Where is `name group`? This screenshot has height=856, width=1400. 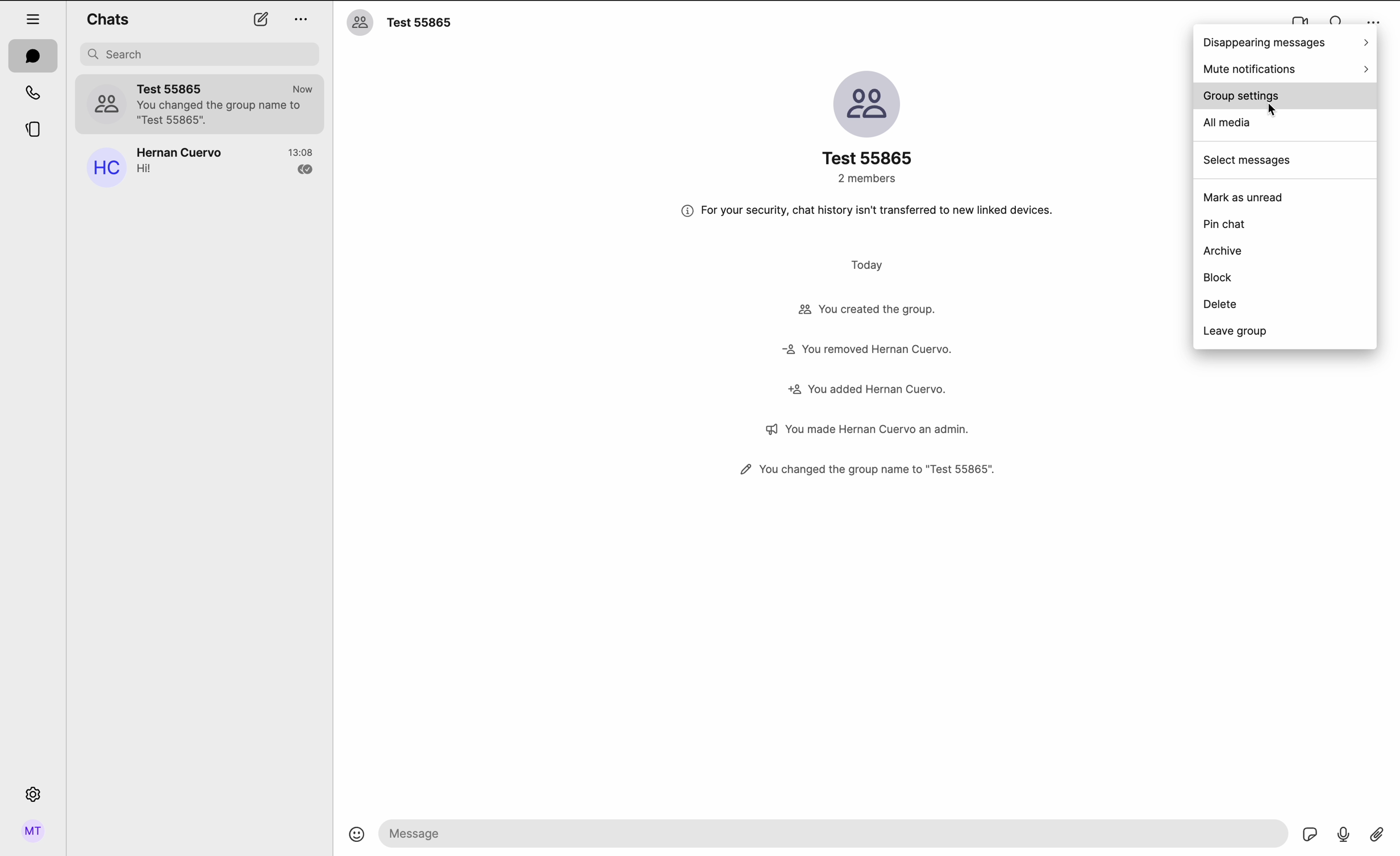
name group is located at coordinates (867, 159).